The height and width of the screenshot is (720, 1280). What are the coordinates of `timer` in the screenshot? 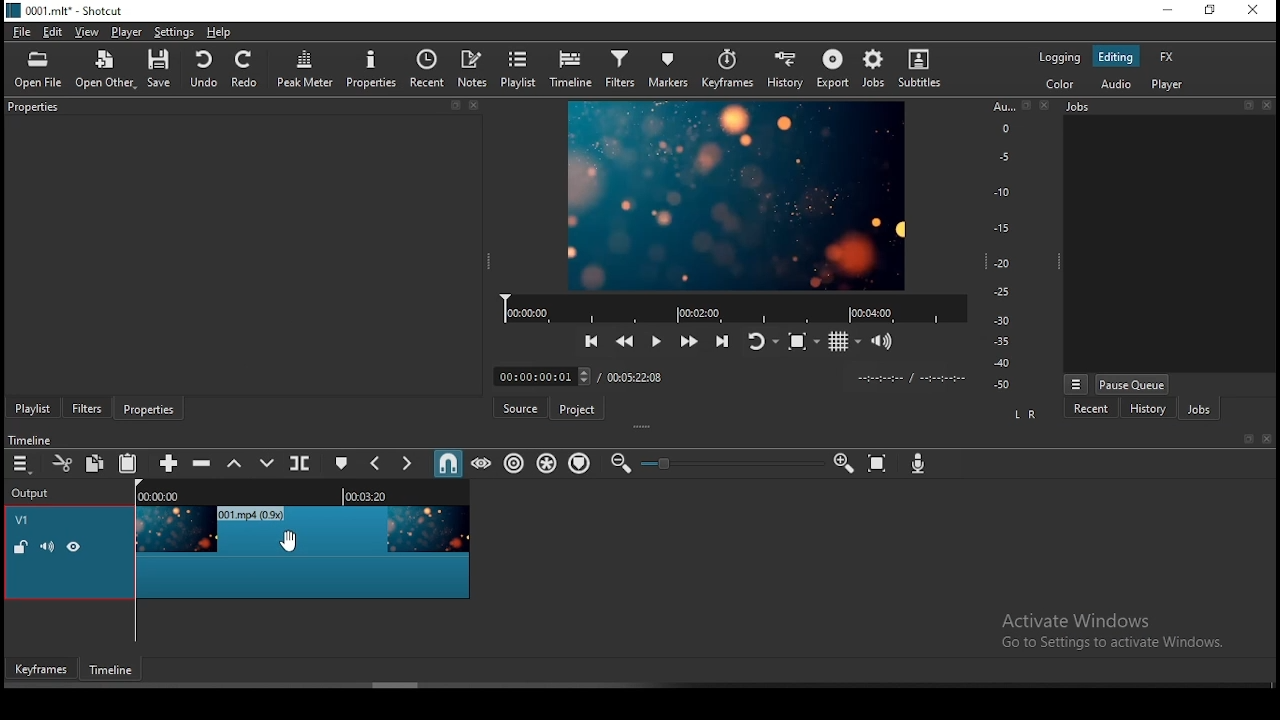 It's located at (910, 378).